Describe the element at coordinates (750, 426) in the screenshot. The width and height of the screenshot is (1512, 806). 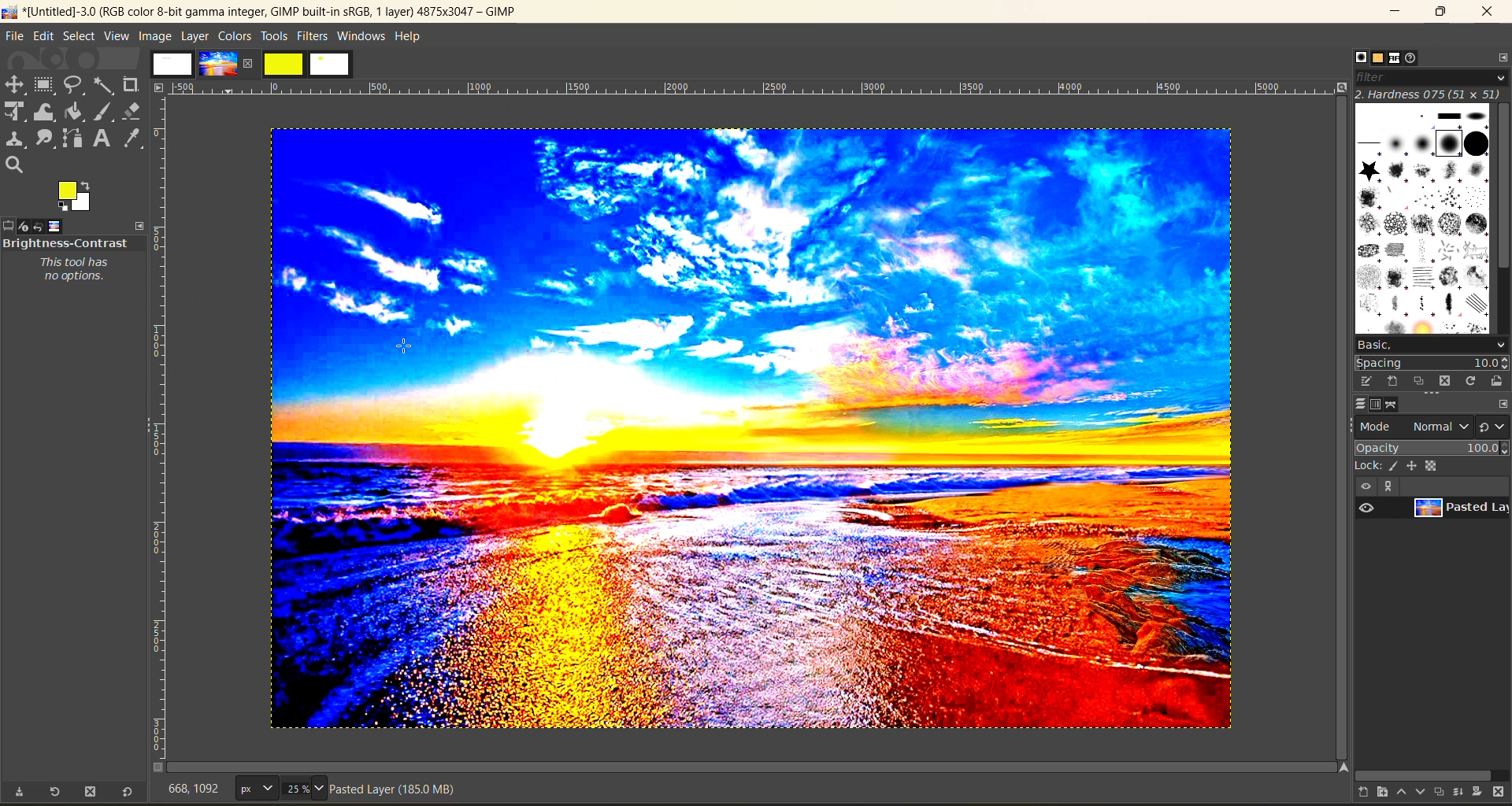
I see `image with brightness and contrast adjusted` at that location.